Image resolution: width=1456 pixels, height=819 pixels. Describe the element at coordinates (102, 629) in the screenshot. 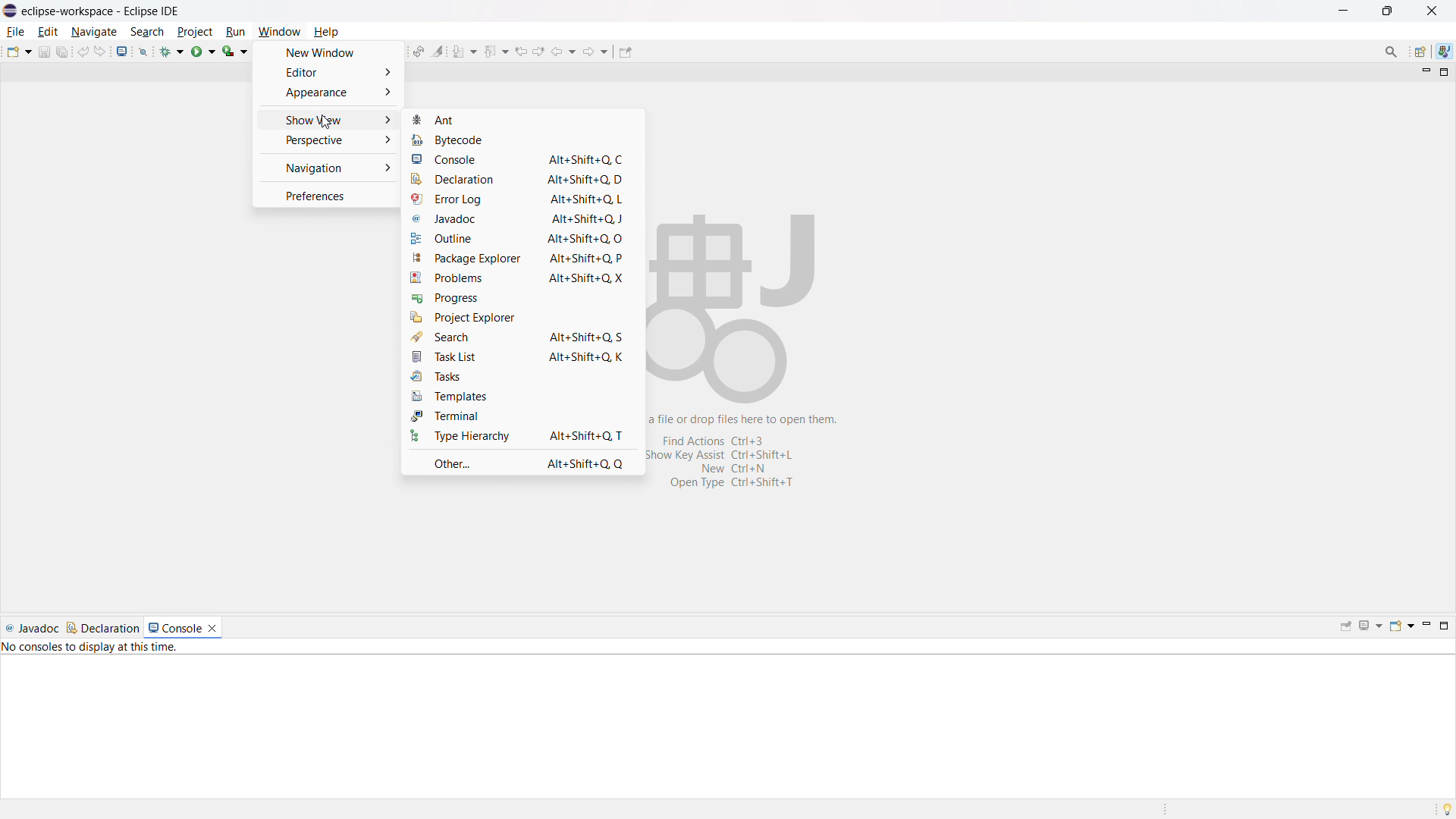

I see `declaration` at that location.